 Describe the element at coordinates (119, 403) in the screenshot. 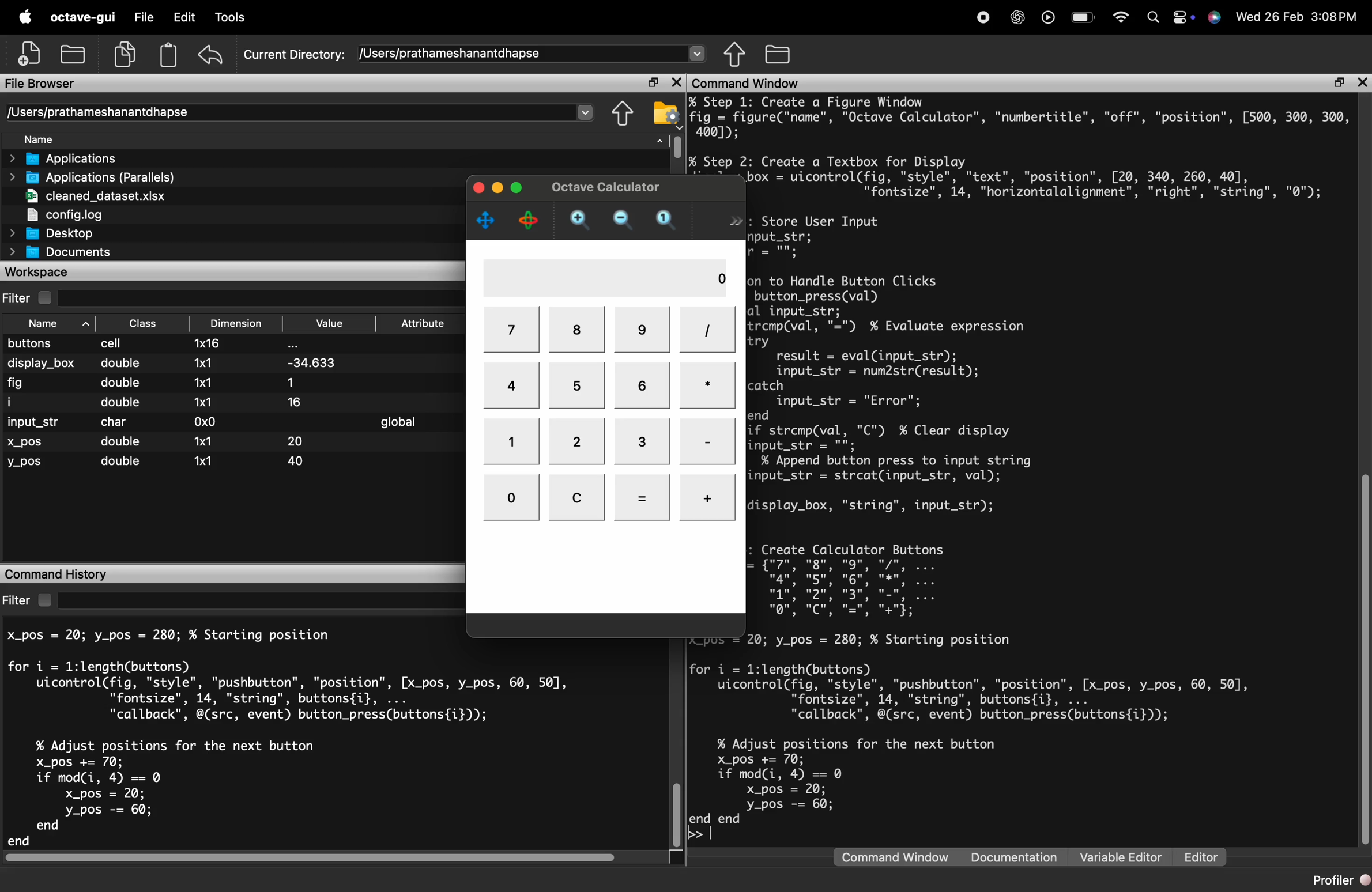

I see `double` at that location.